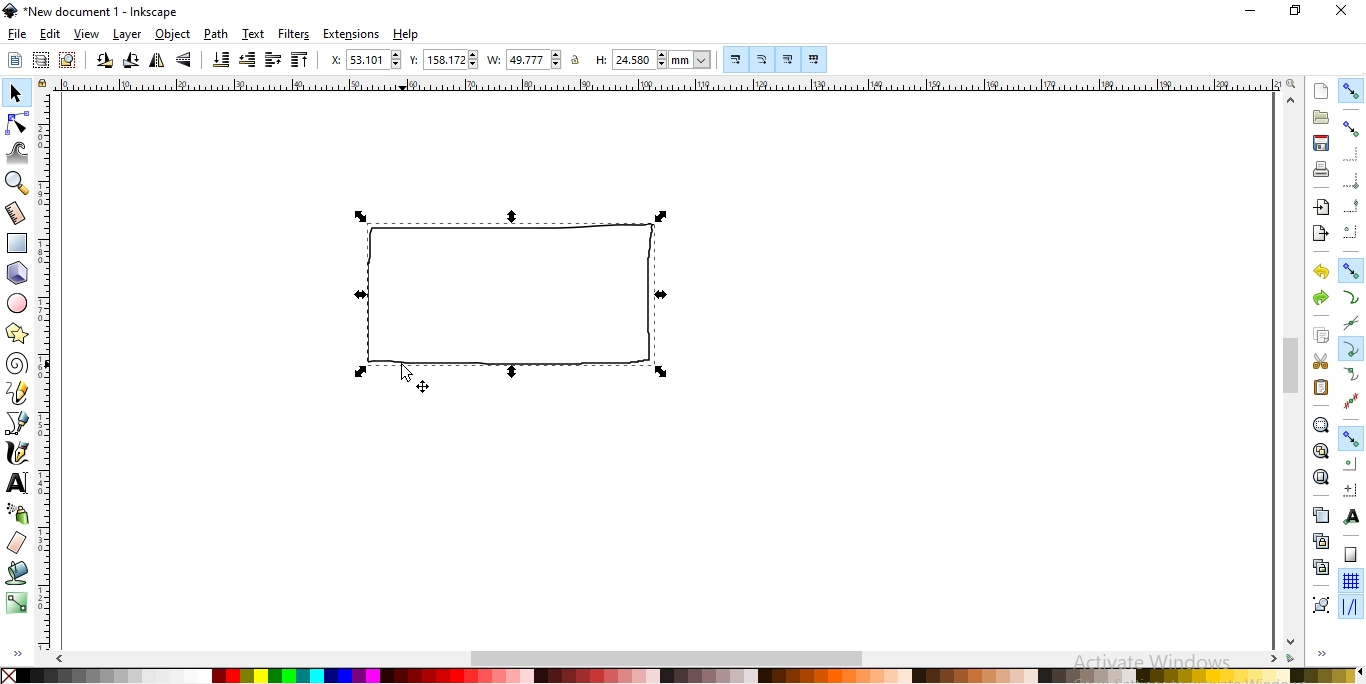 The width and height of the screenshot is (1366, 684). Describe the element at coordinates (406, 371) in the screenshot. I see `cursor` at that location.